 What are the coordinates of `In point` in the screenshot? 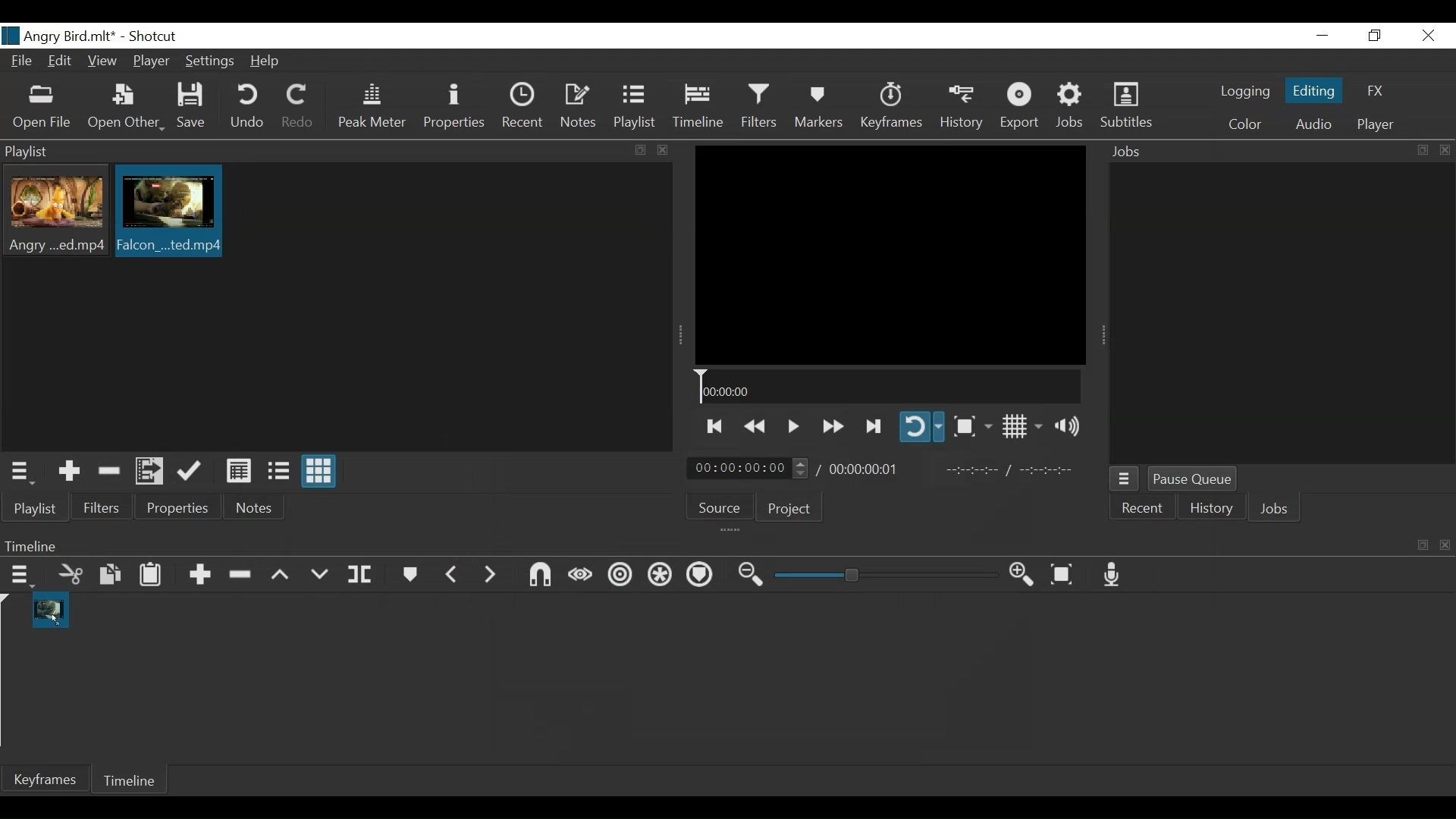 It's located at (1015, 470).